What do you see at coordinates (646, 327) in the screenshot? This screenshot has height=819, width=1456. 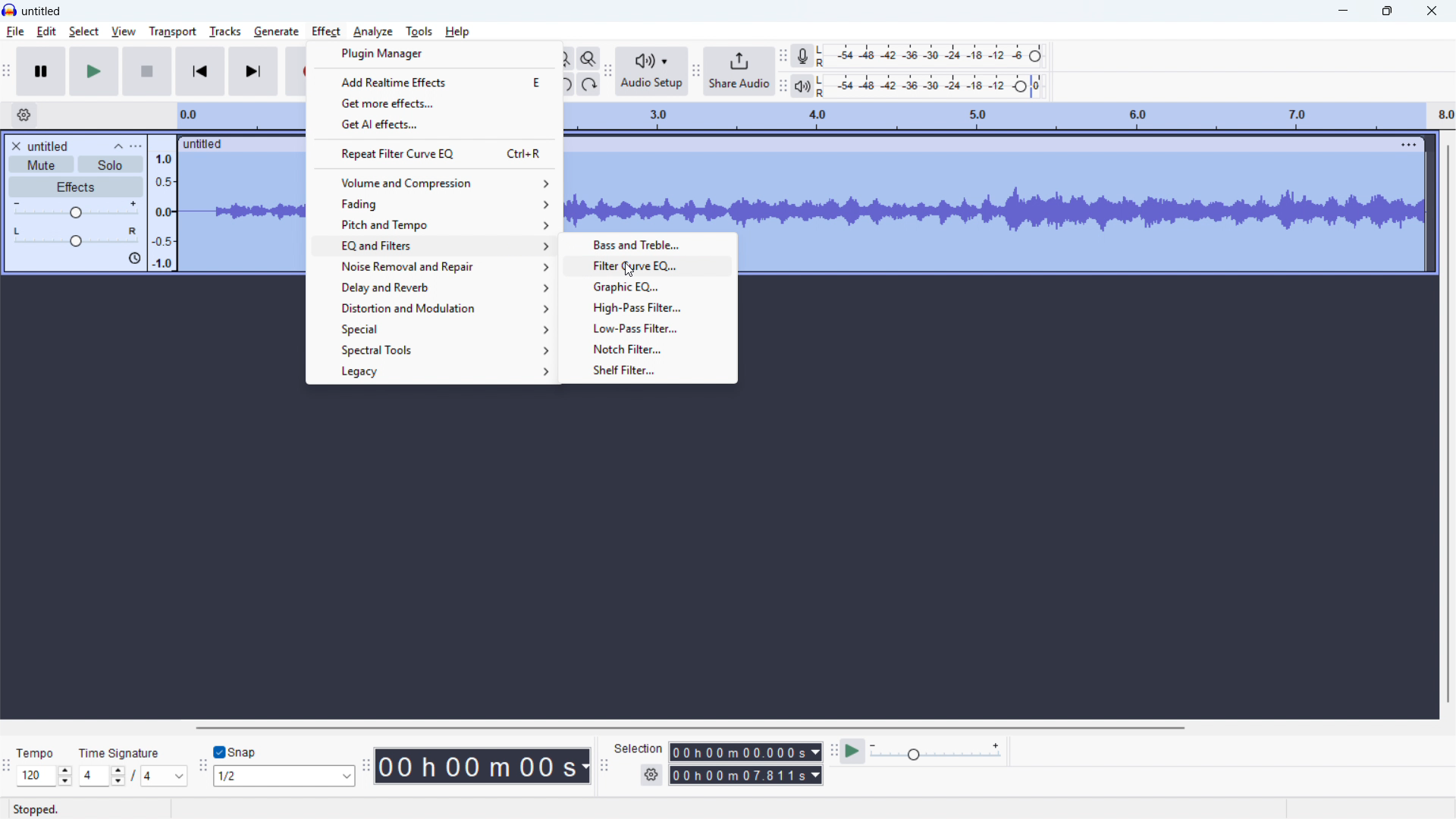 I see `Low pass filter` at bounding box center [646, 327].